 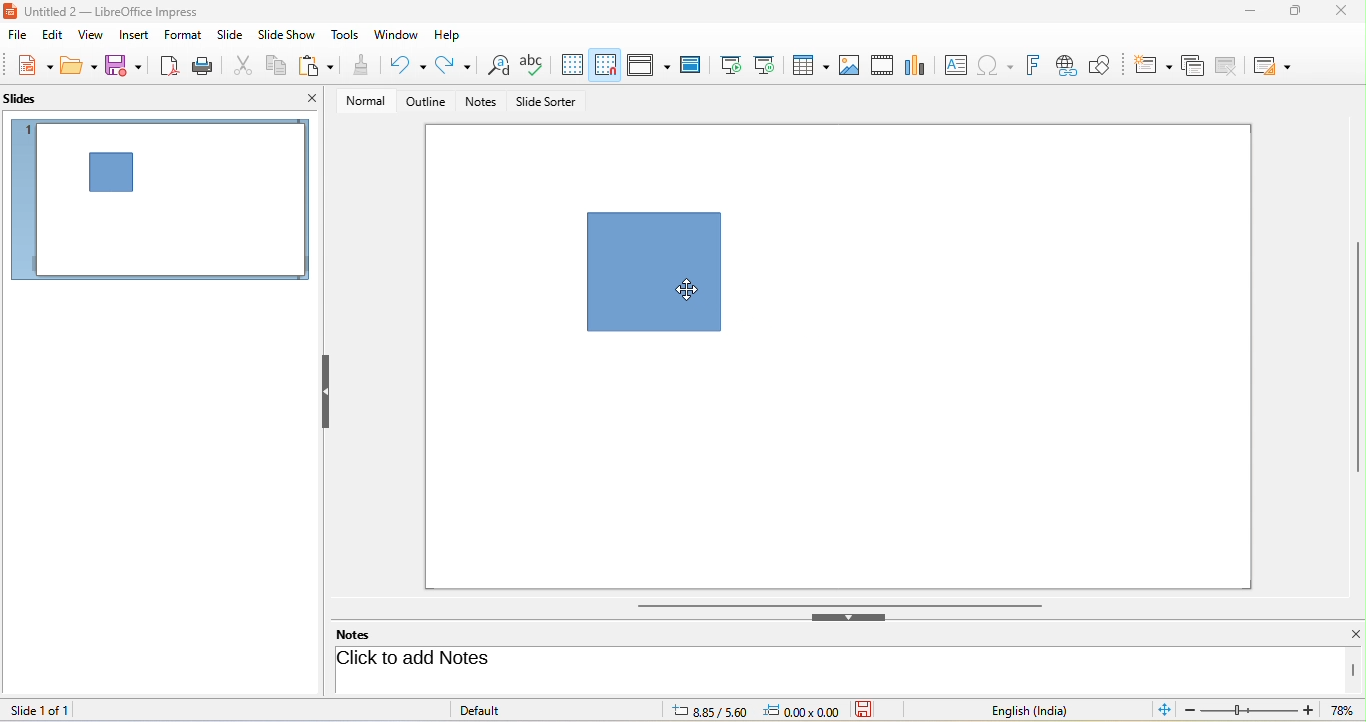 I want to click on untitled 2-libre office impress, so click(x=123, y=10).